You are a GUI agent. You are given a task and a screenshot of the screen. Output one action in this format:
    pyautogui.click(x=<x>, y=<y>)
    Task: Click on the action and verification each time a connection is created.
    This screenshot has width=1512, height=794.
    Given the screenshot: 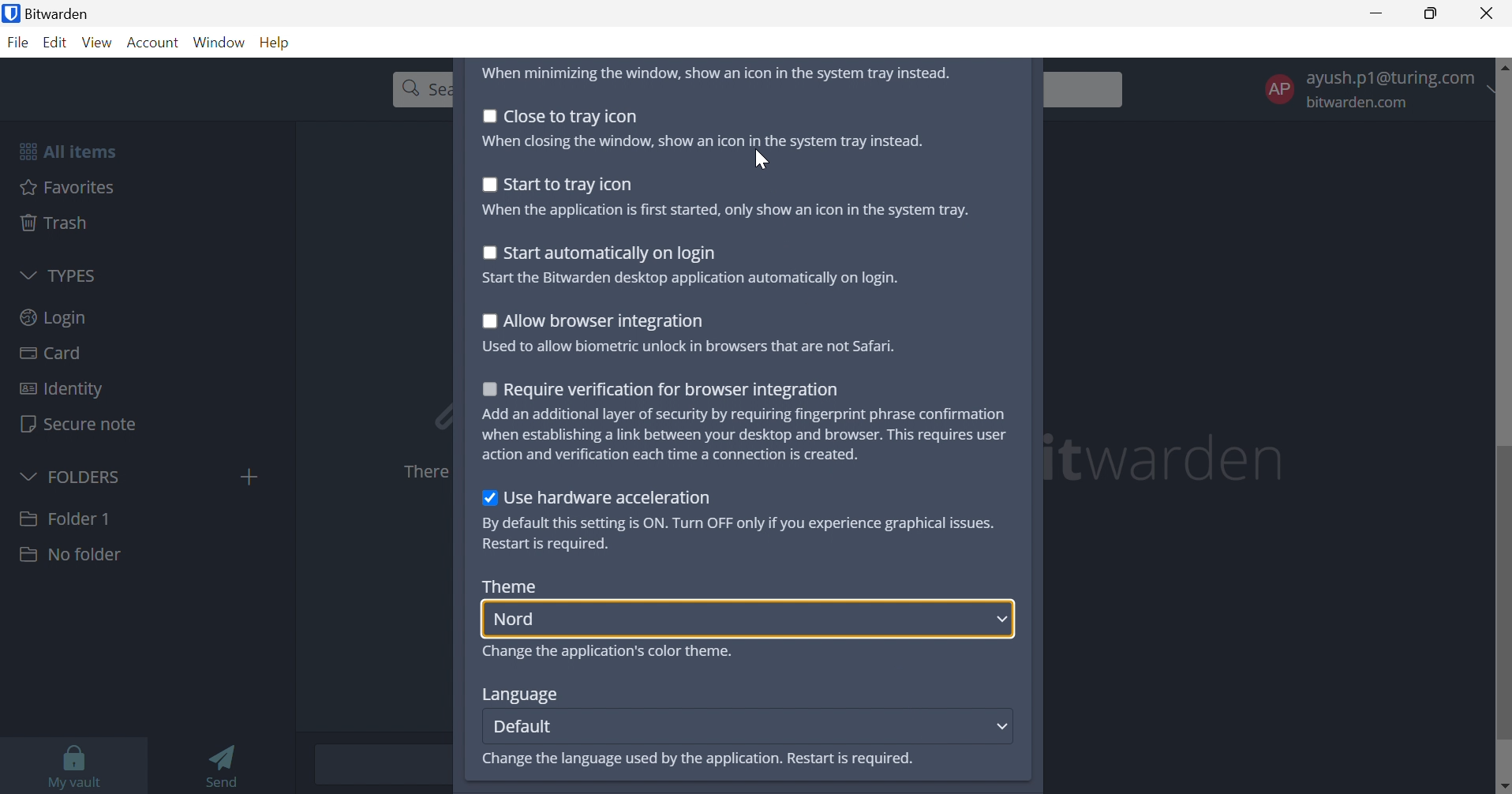 What is the action you would take?
    pyautogui.click(x=673, y=455)
    